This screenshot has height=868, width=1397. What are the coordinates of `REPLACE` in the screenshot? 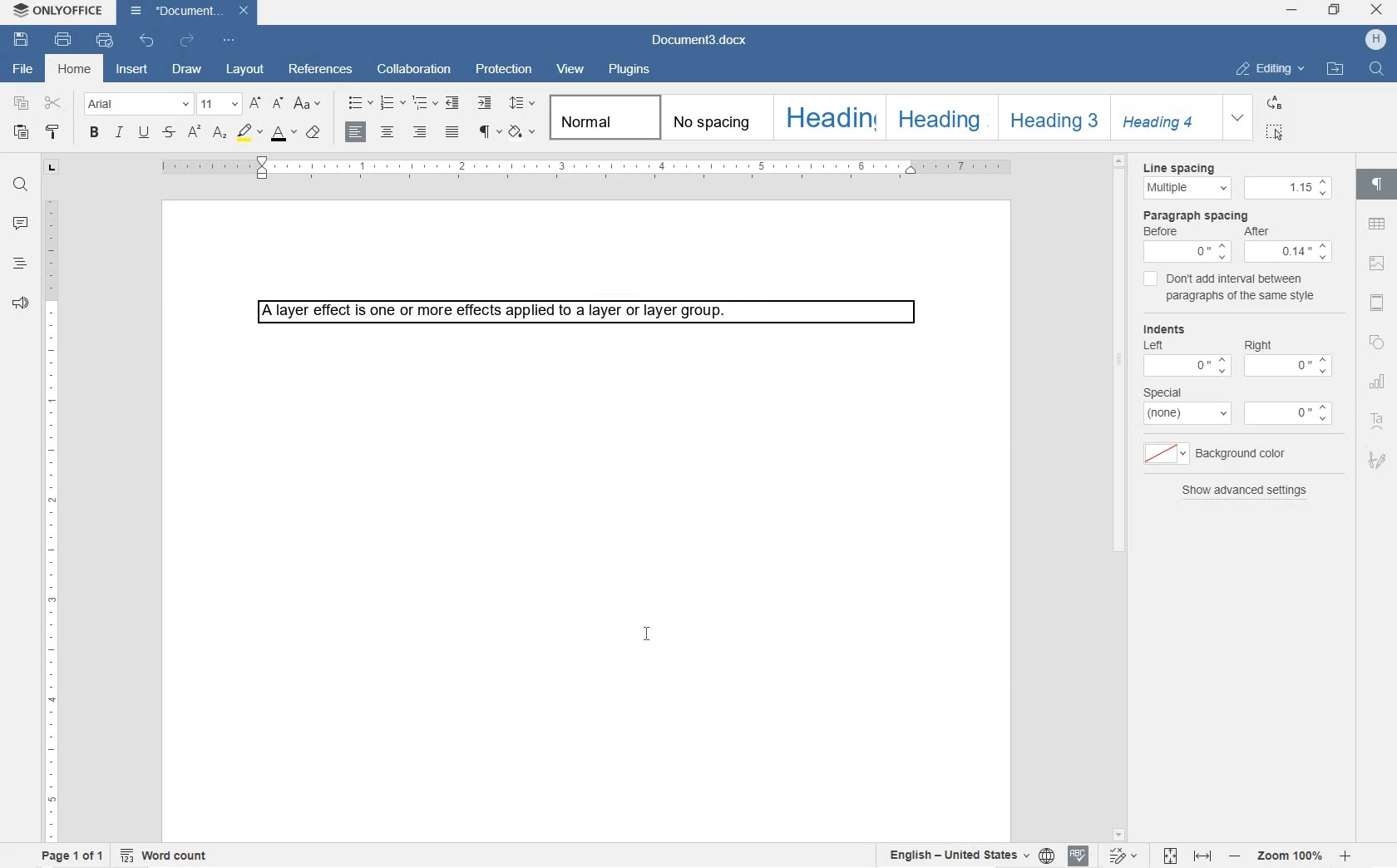 It's located at (1273, 101).